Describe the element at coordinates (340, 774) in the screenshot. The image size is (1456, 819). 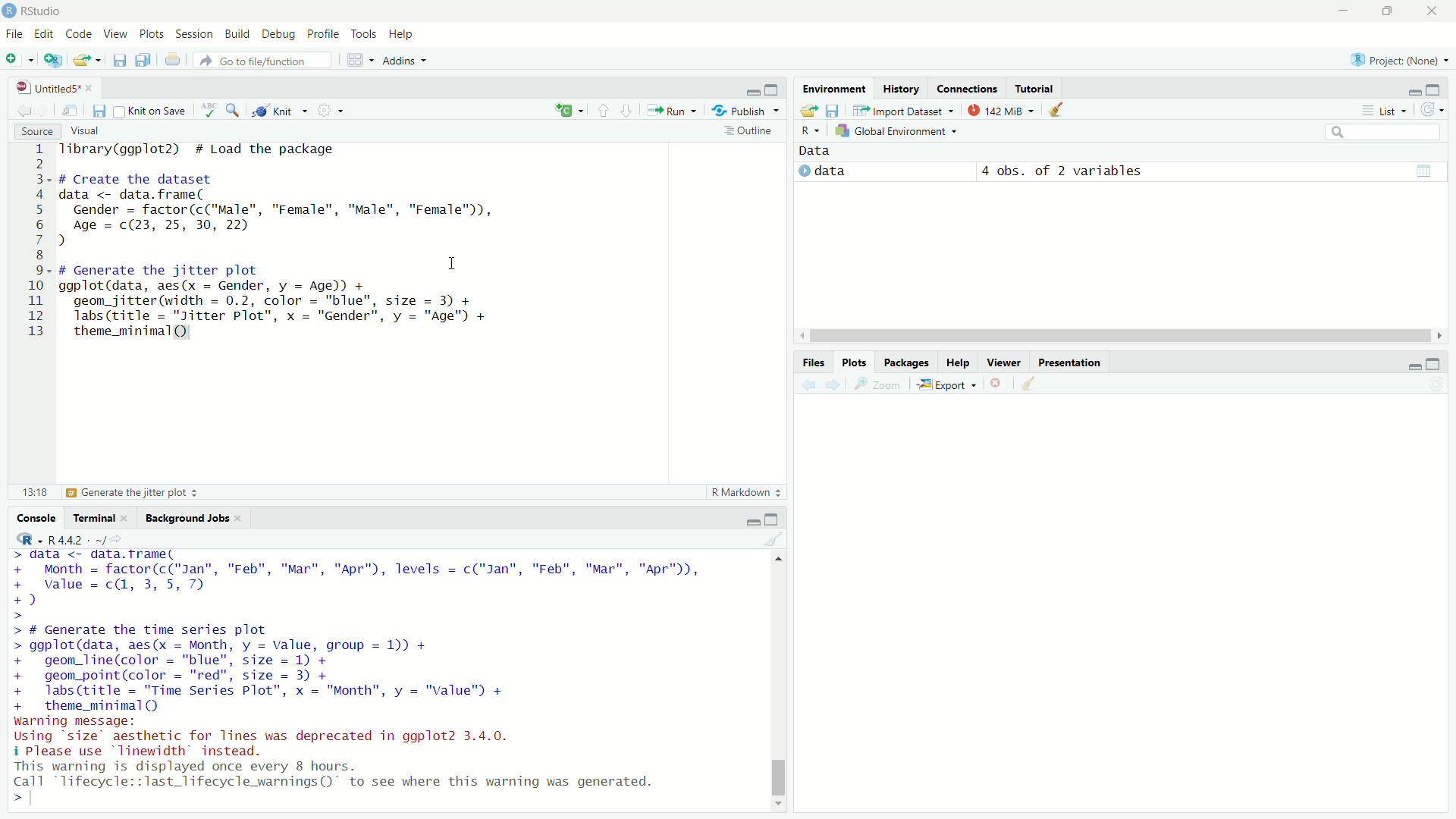
I see `warning displayed` at that location.